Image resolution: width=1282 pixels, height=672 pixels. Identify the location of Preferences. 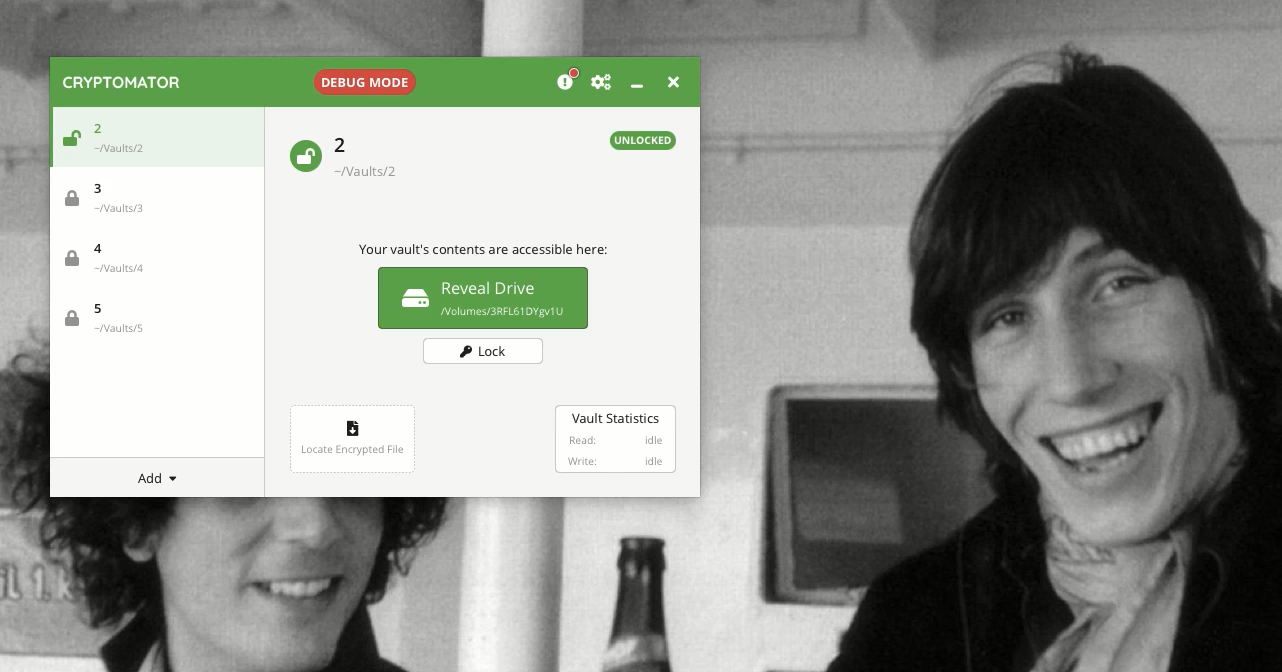
(601, 83).